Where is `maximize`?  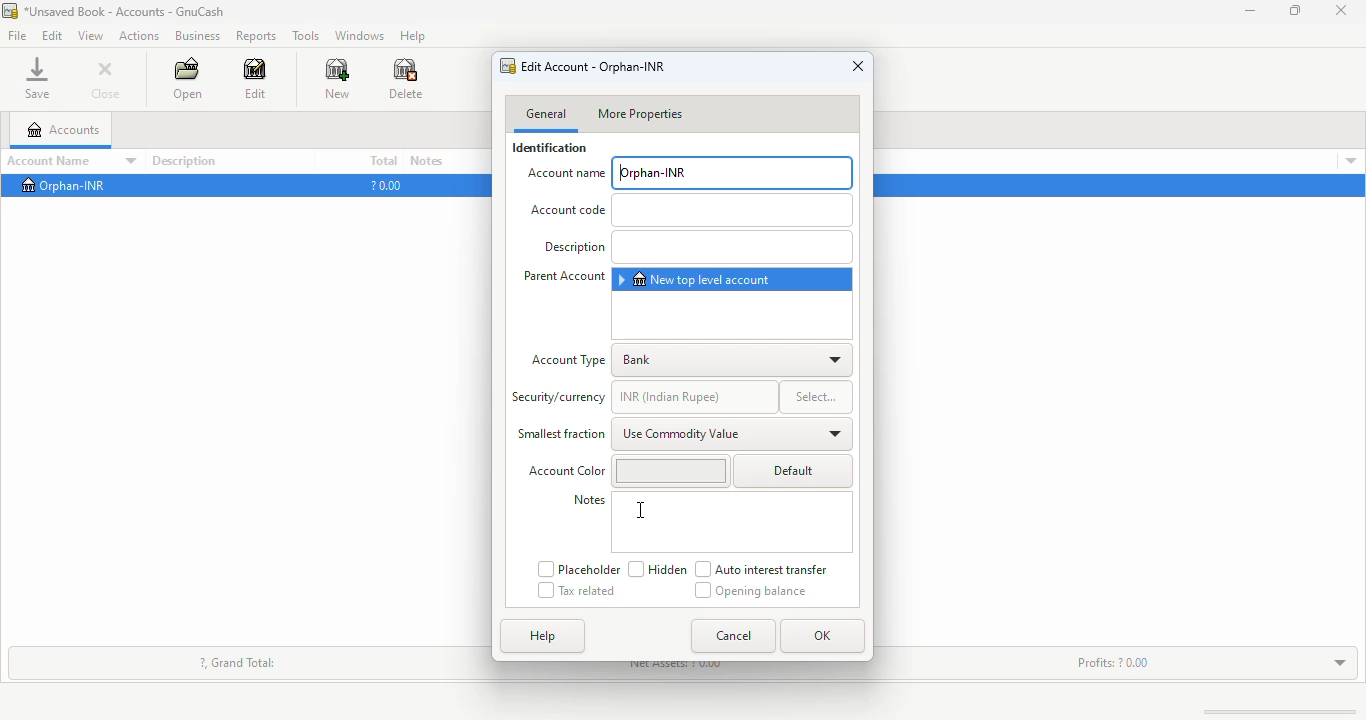 maximize is located at coordinates (1296, 11).